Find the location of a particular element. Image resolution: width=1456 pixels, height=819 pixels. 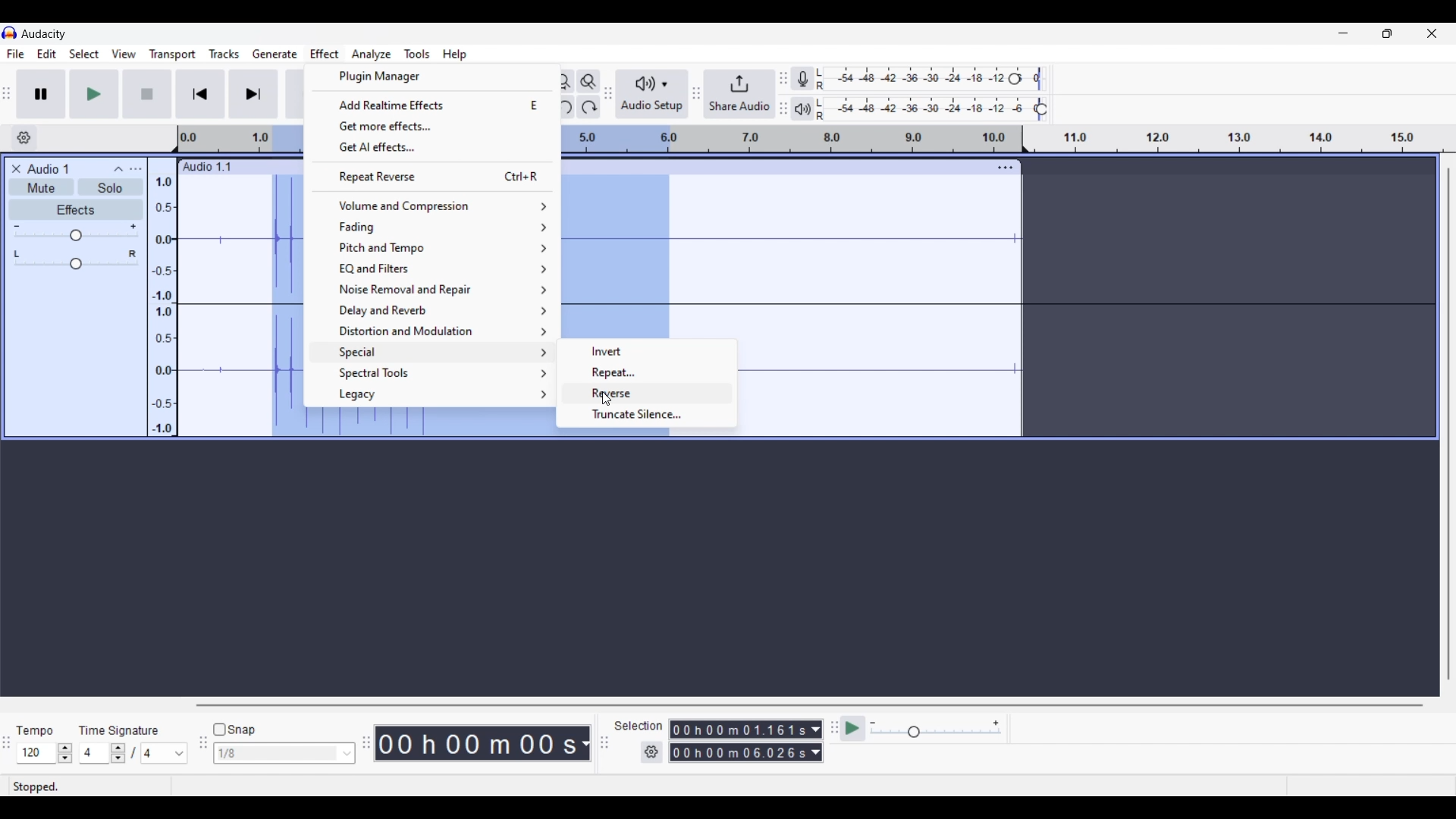

Time signature options is located at coordinates (165, 754).